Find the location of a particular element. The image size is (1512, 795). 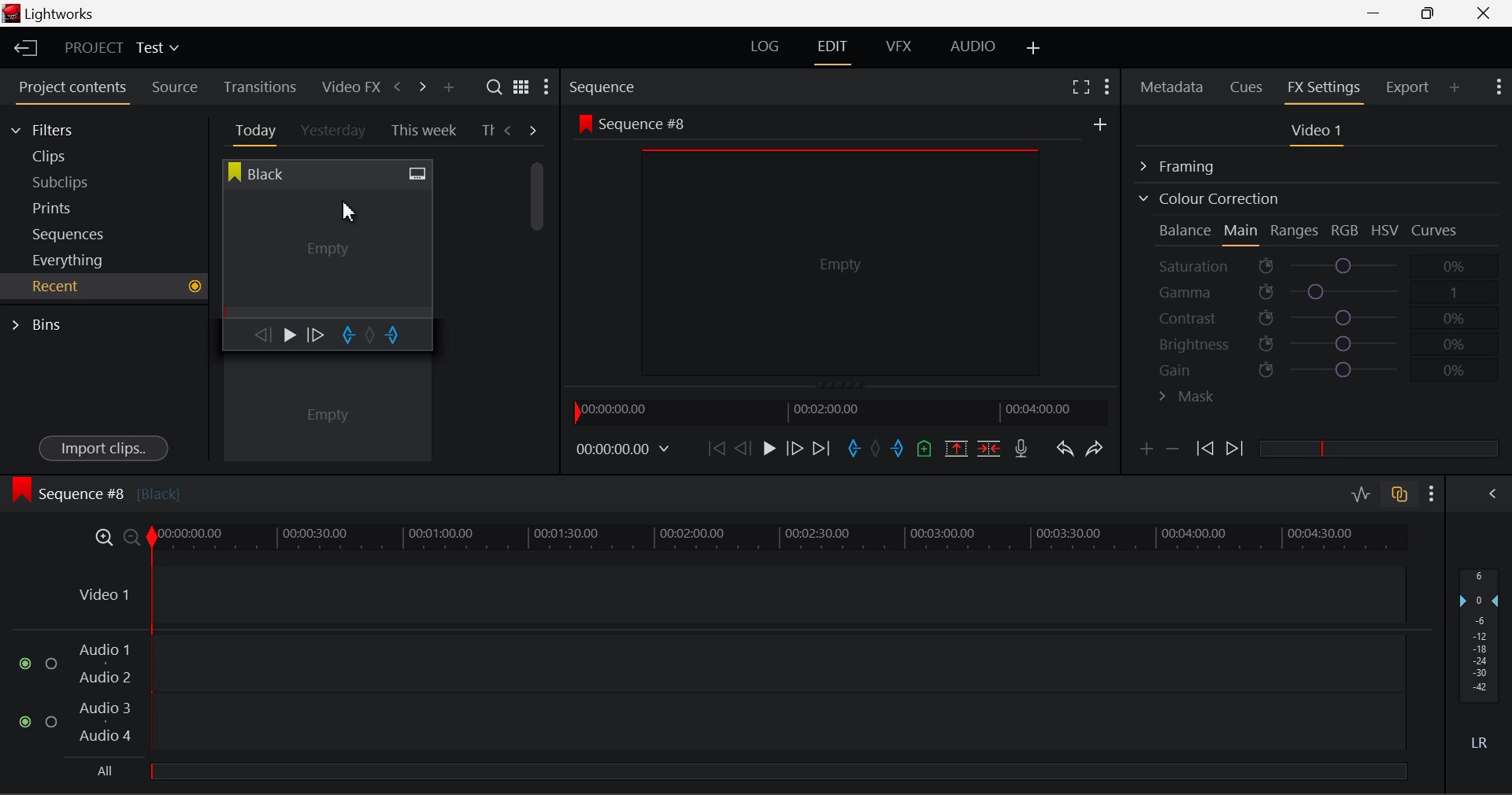

Gamma is located at coordinates (1320, 292).